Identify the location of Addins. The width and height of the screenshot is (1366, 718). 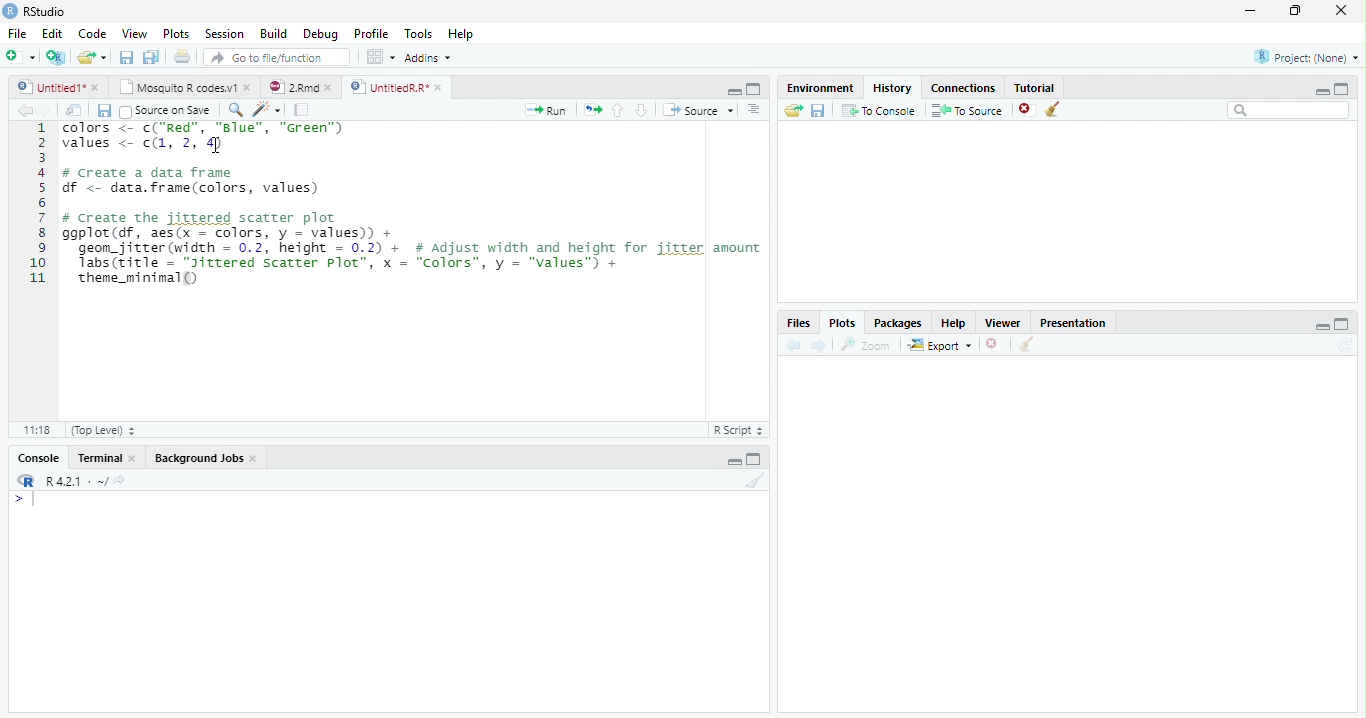
(428, 58).